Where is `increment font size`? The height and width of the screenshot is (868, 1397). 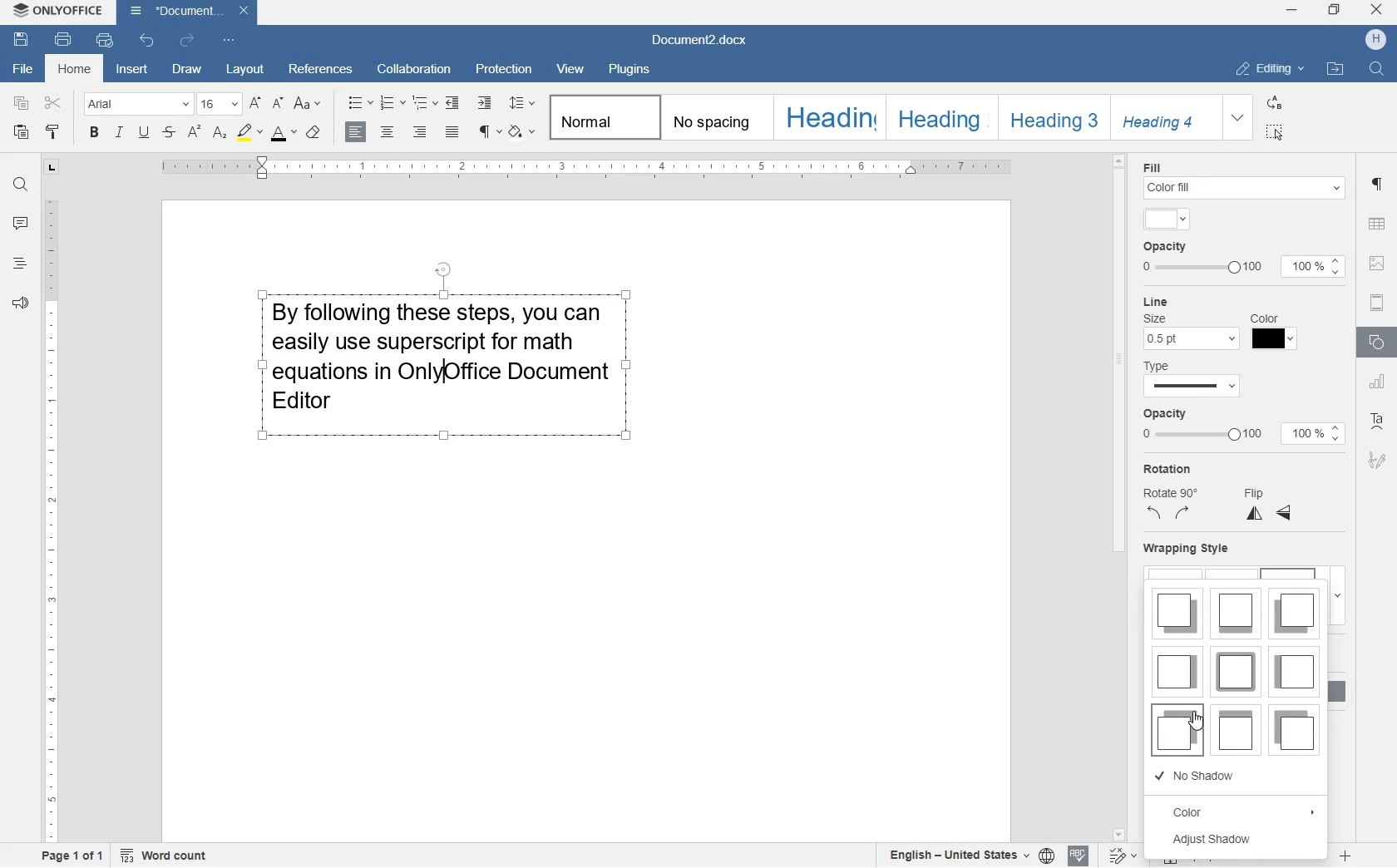 increment font size is located at coordinates (254, 104).